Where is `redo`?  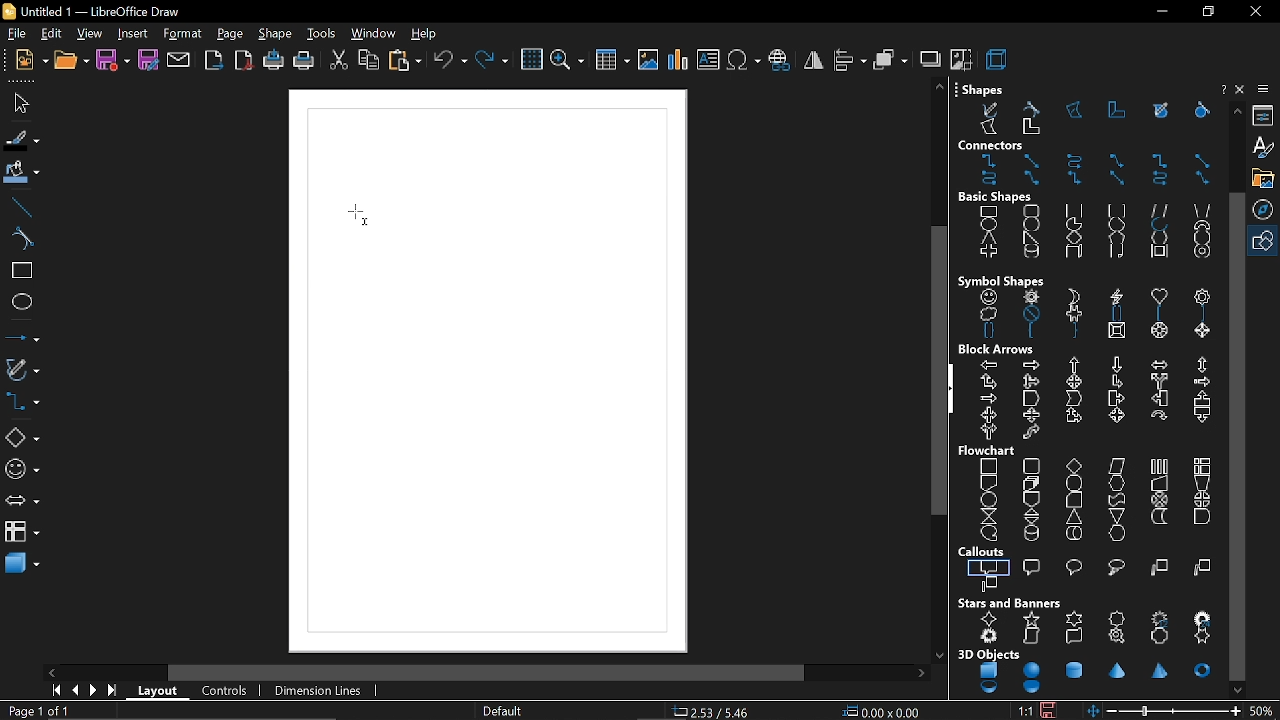 redo is located at coordinates (493, 61).